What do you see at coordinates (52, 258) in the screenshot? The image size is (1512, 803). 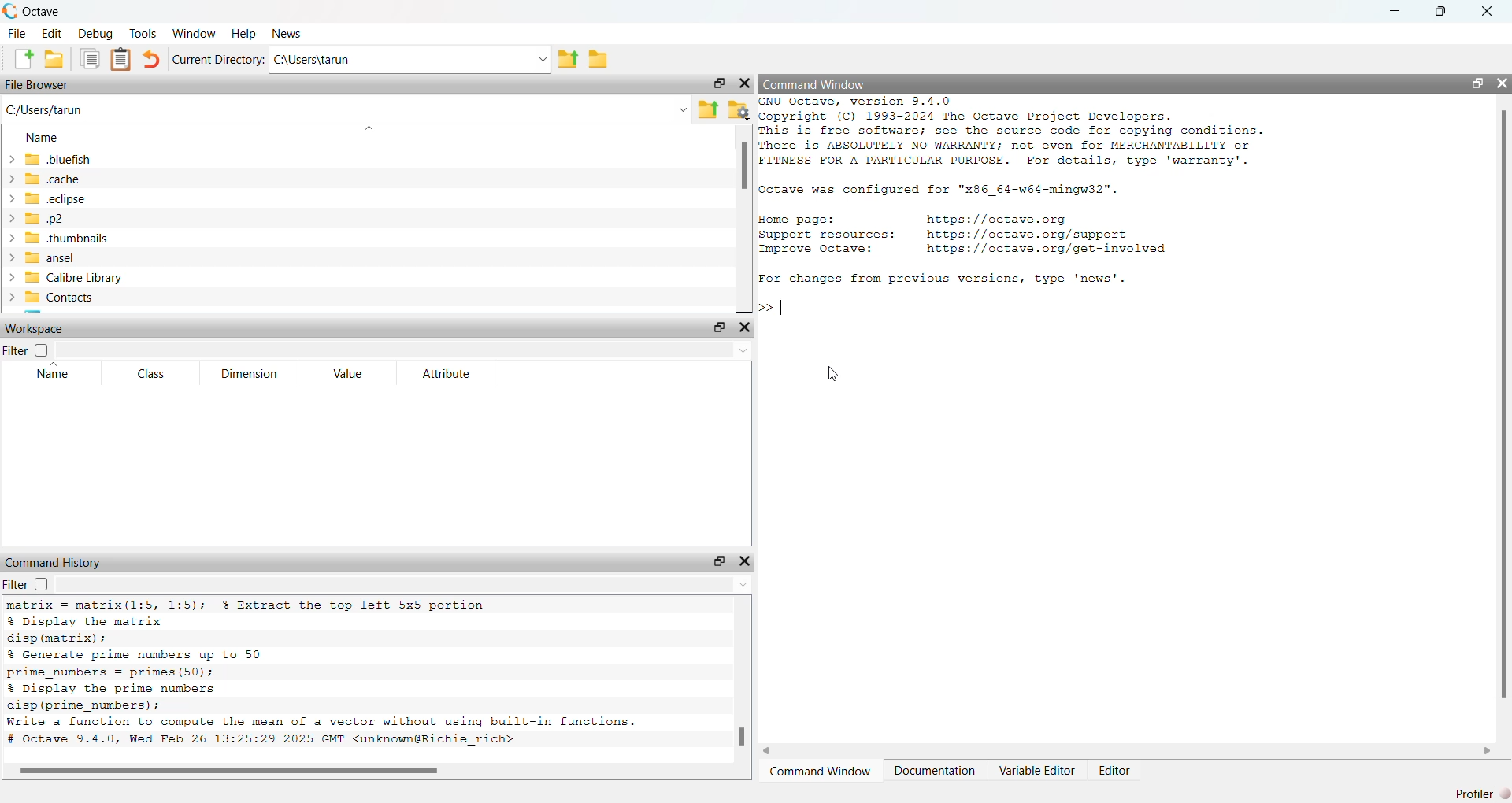 I see `ansel` at bounding box center [52, 258].